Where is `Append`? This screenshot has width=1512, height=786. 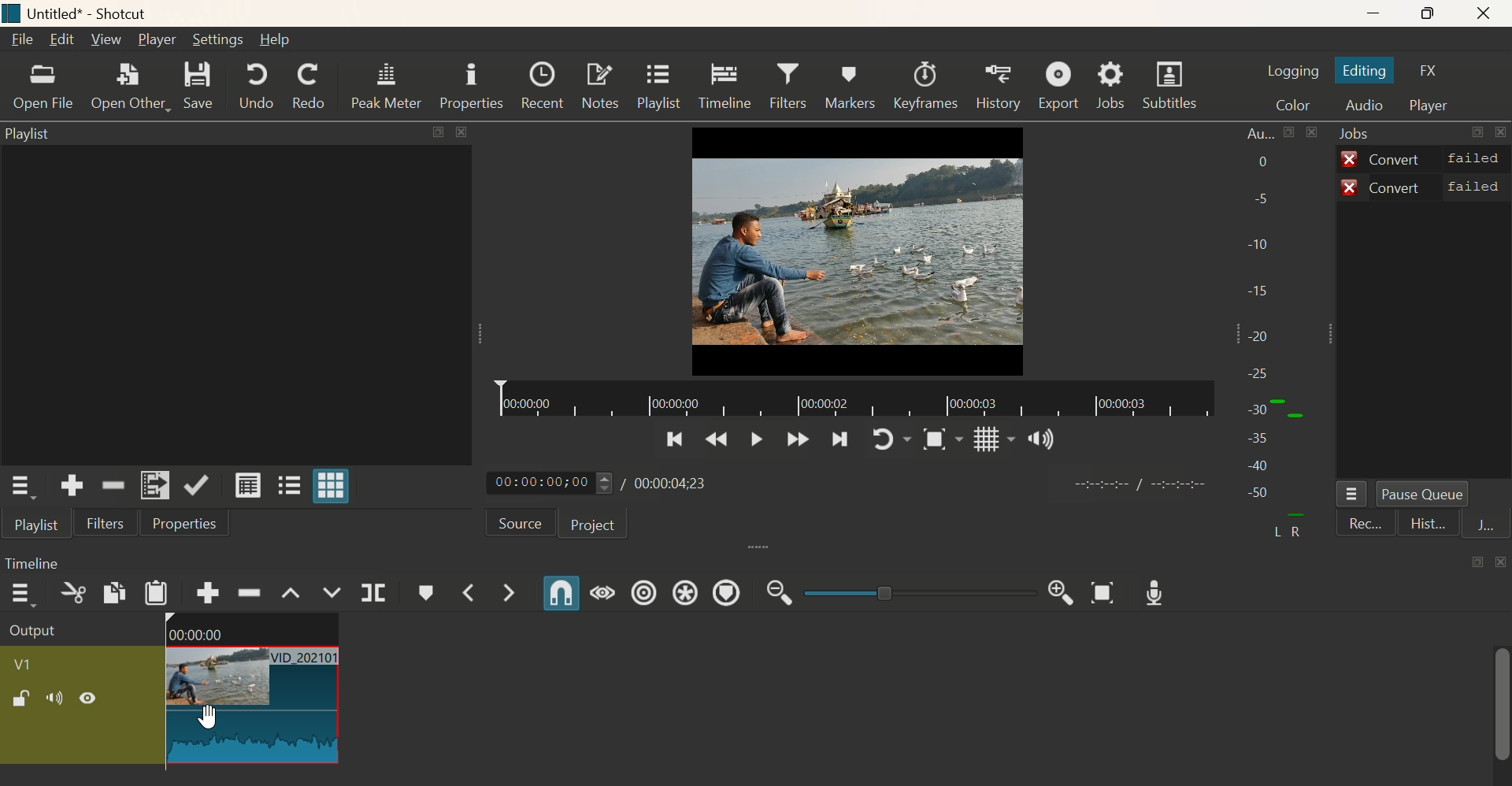
Append is located at coordinates (206, 592).